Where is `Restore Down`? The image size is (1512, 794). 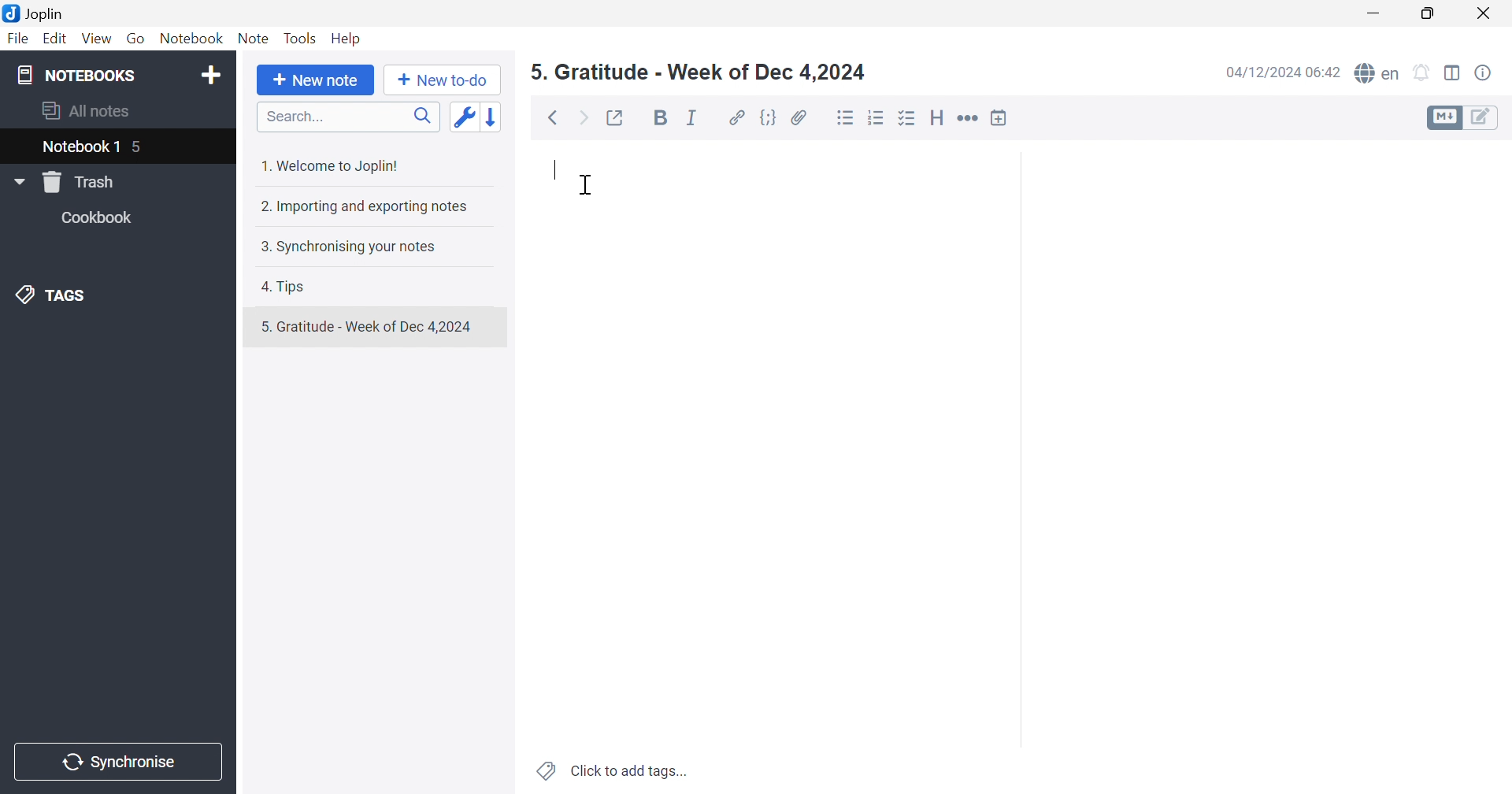
Restore Down is located at coordinates (1430, 15).